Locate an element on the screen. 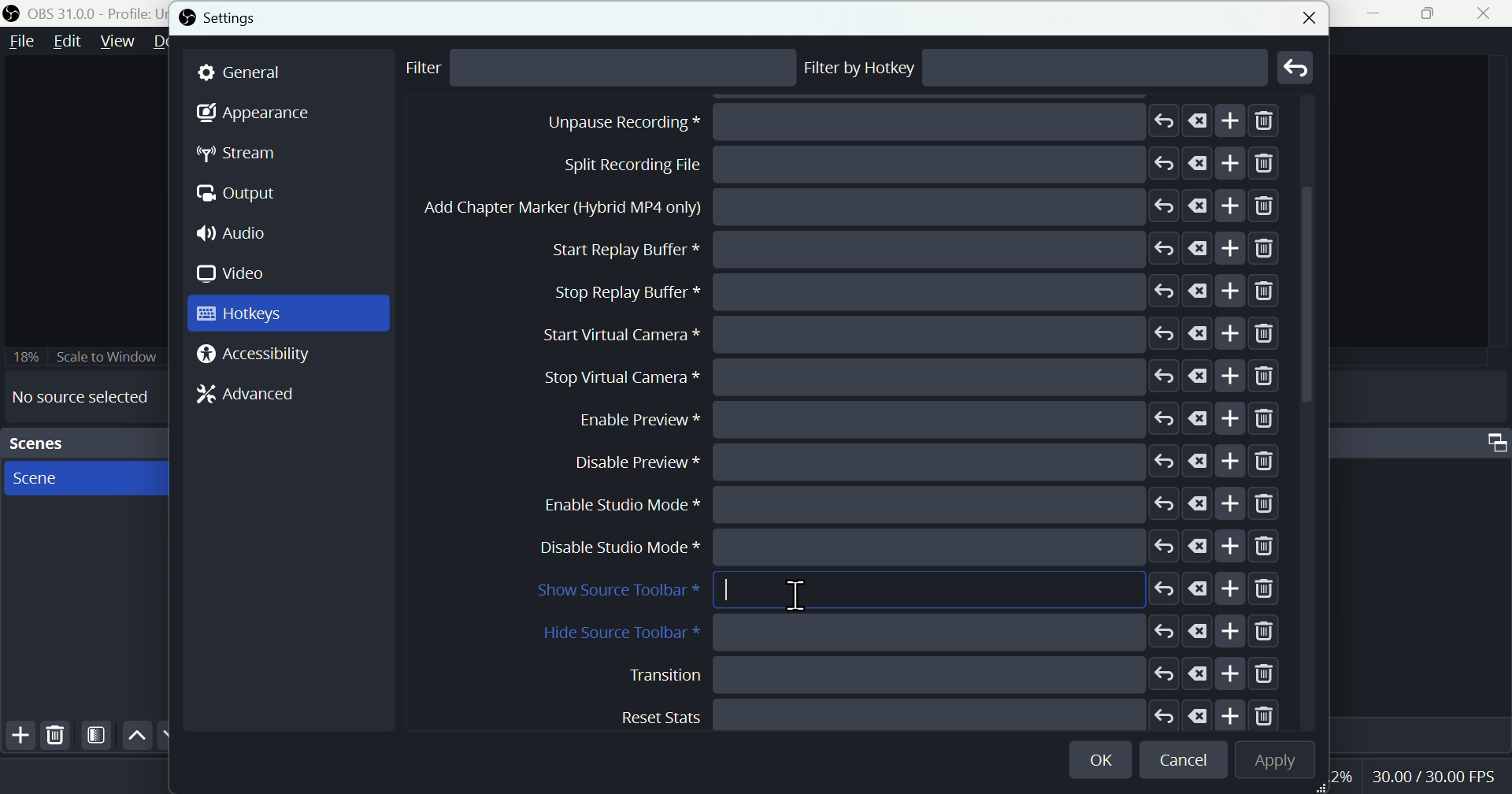 The height and width of the screenshot is (794, 1512). Output is located at coordinates (245, 195).